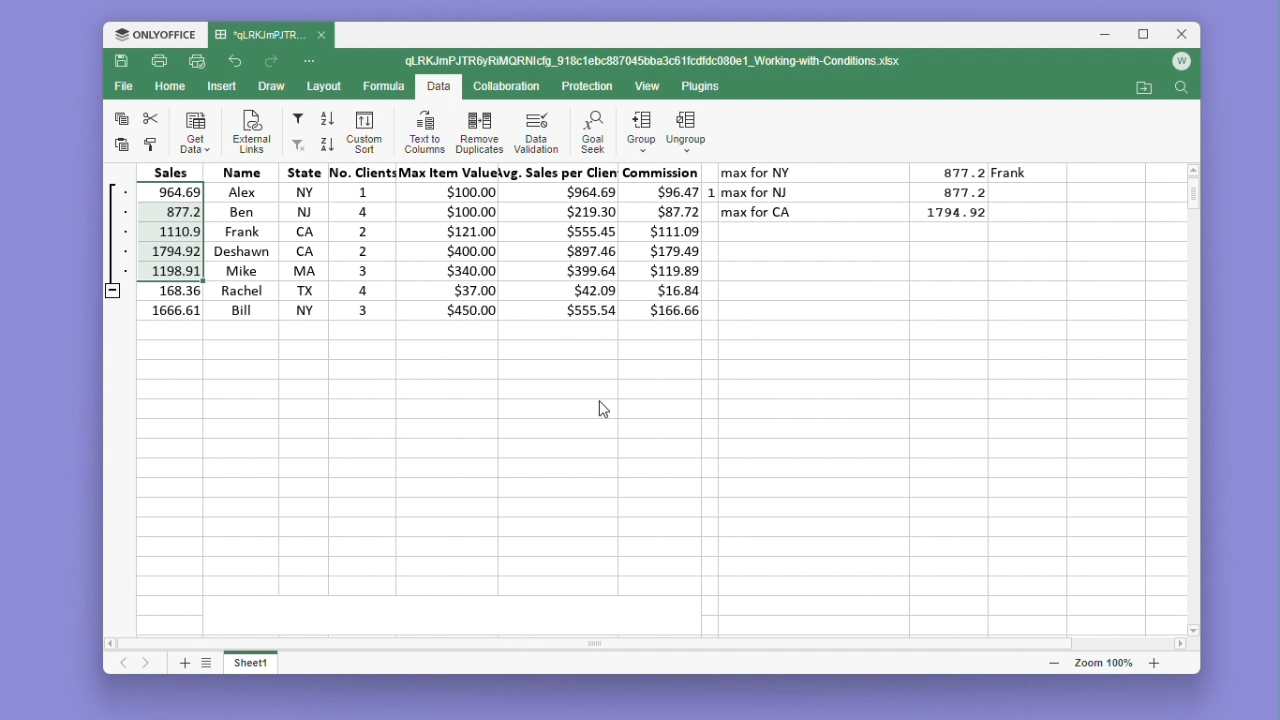 The height and width of the screenshot is (720, 1280). Describe the element at coordinates (112, 241) in the screenshot. I see `grouped rows` at that location.